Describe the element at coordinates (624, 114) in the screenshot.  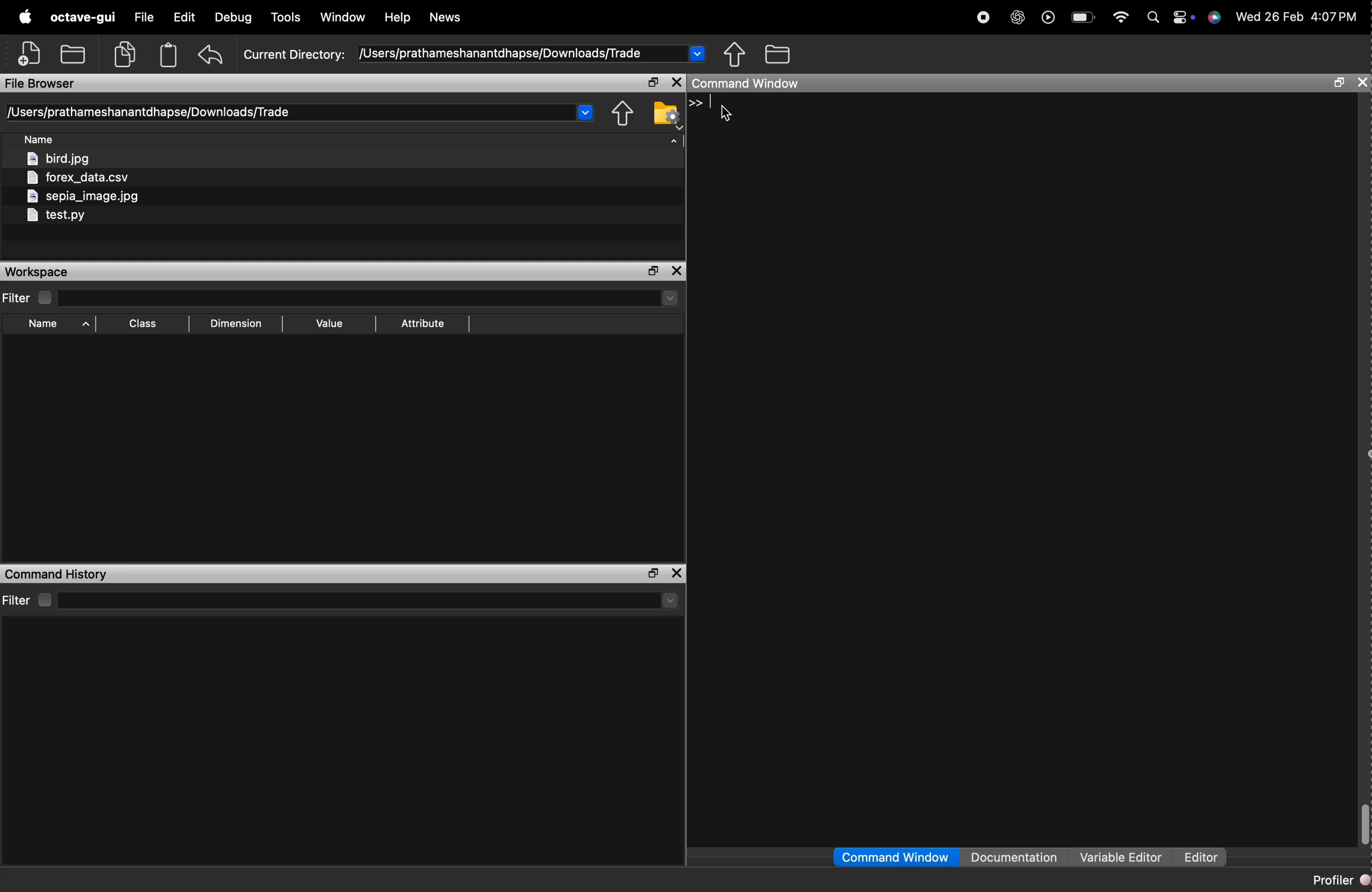
I see `share` at that location.